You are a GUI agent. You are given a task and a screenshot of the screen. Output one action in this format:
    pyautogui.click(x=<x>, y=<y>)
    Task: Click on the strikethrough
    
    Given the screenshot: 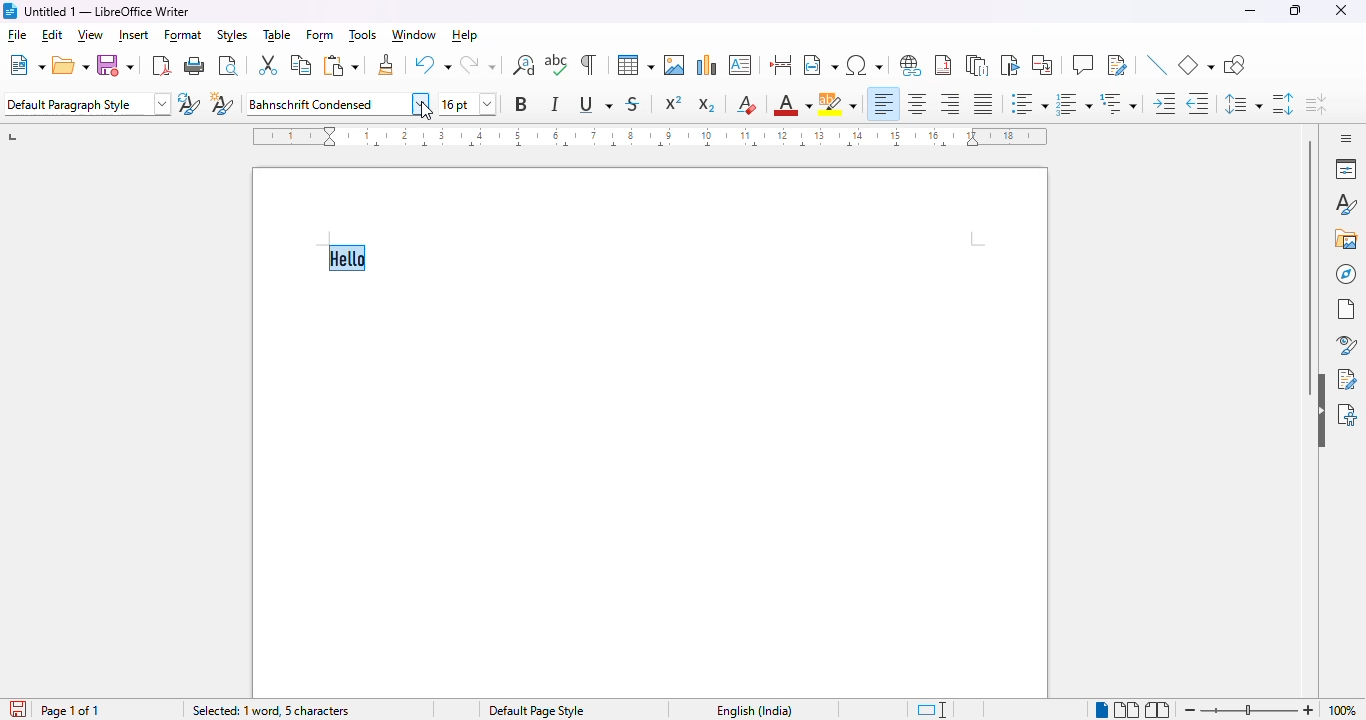 What is the action you would take?
    pyautogui.click(x=634, y=104)
    